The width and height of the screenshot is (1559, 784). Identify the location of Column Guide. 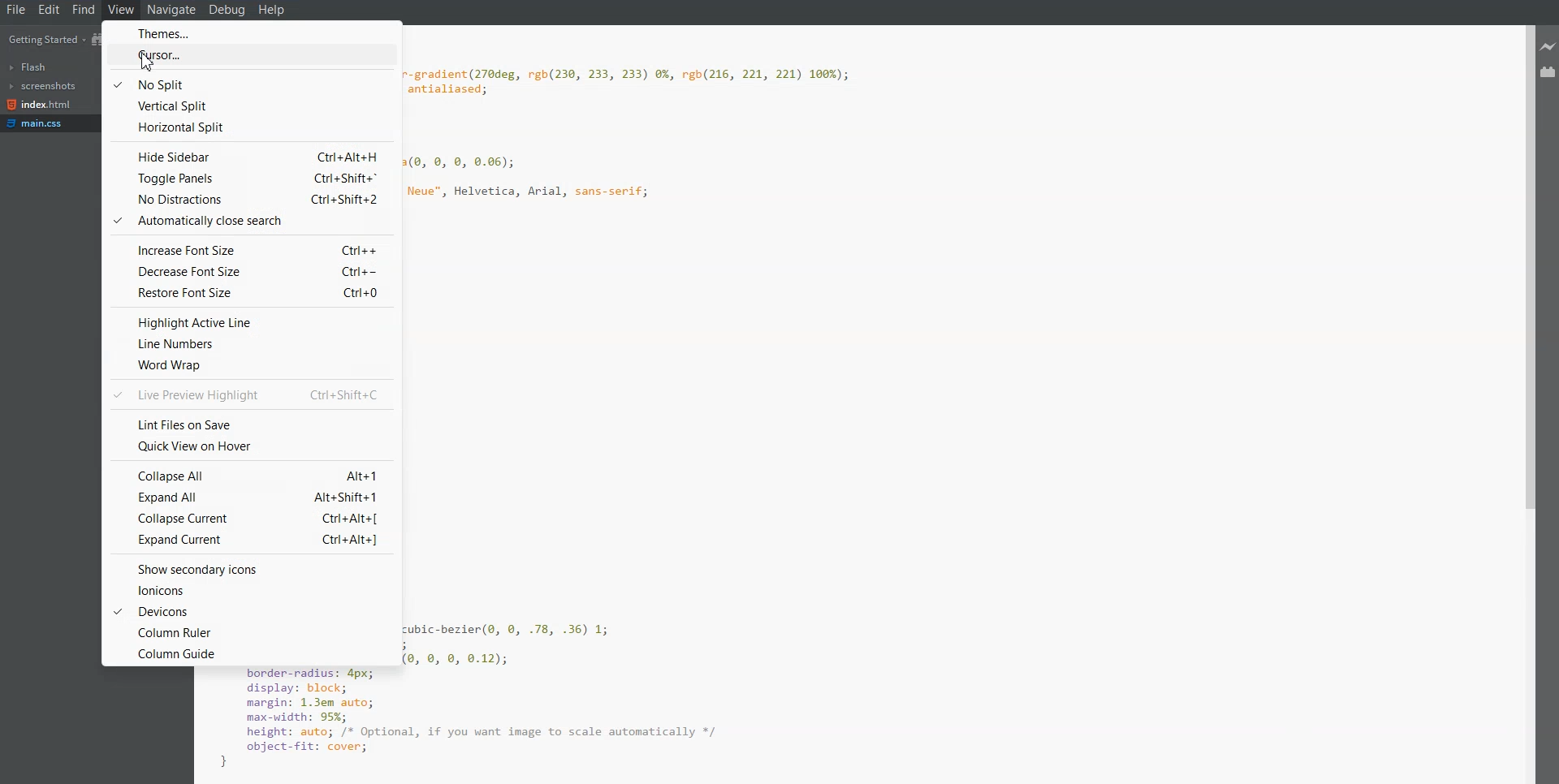
(250, 653).